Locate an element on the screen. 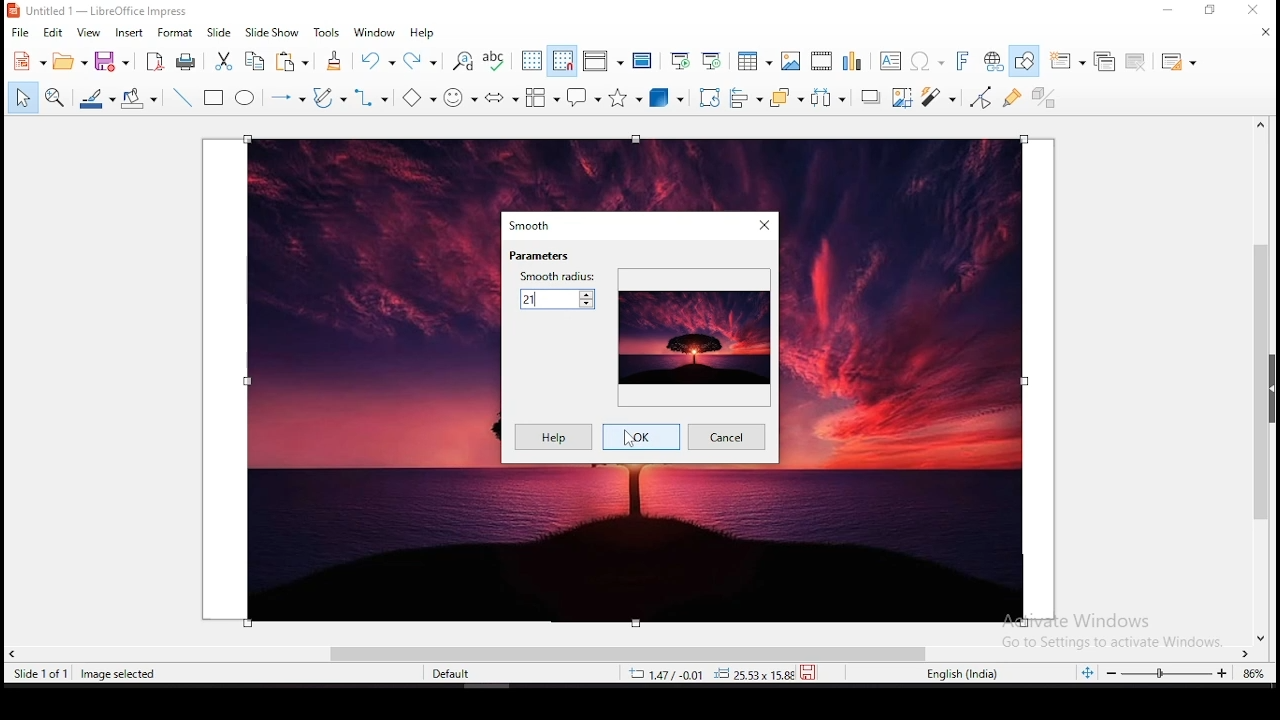 This screenshot has width=1280, height=720. align objects is located at coordinates (743, 98).